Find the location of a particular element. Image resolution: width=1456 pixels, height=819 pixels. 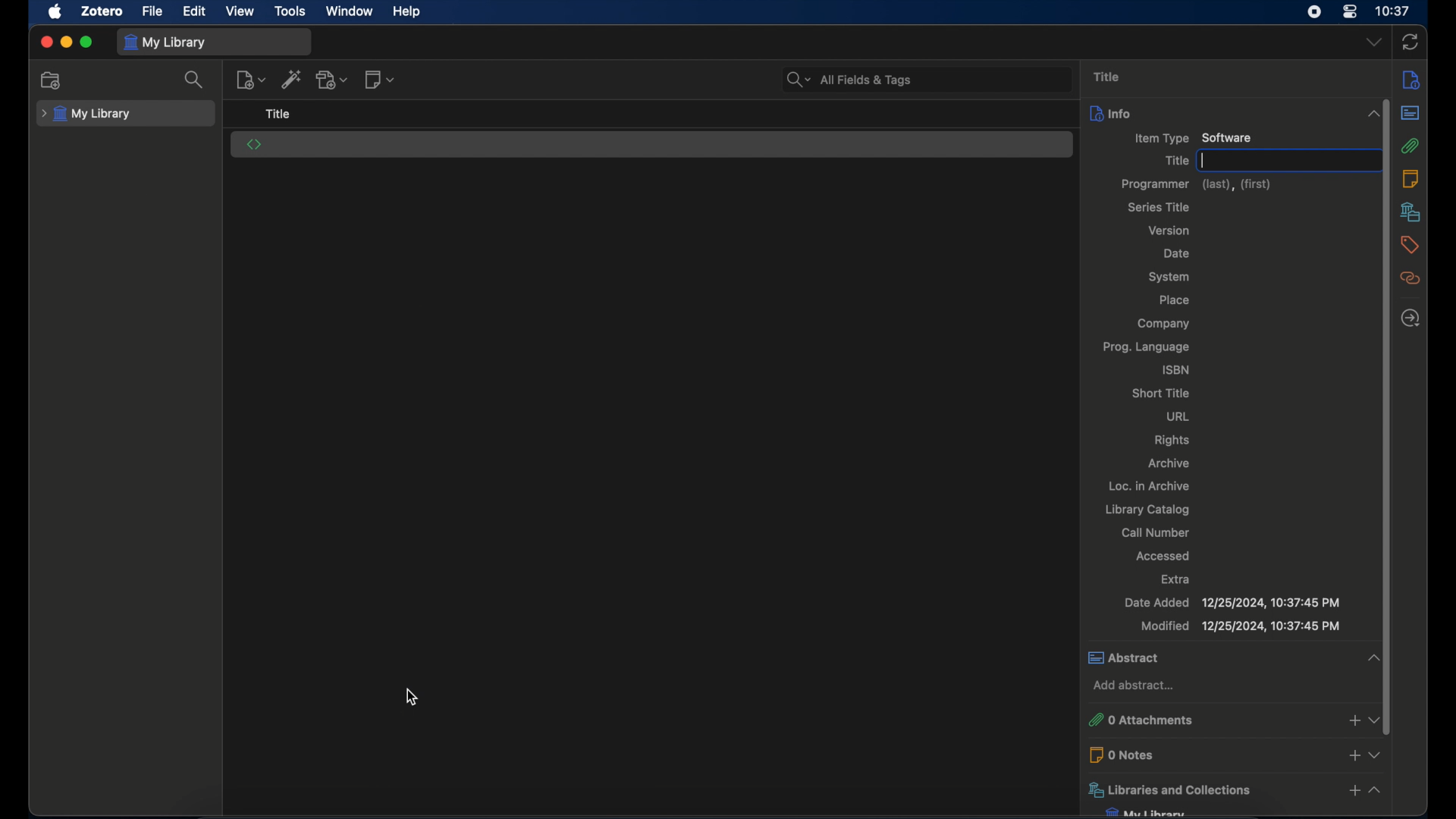

vertical scrollbar is located at coordinates (1386, 492).